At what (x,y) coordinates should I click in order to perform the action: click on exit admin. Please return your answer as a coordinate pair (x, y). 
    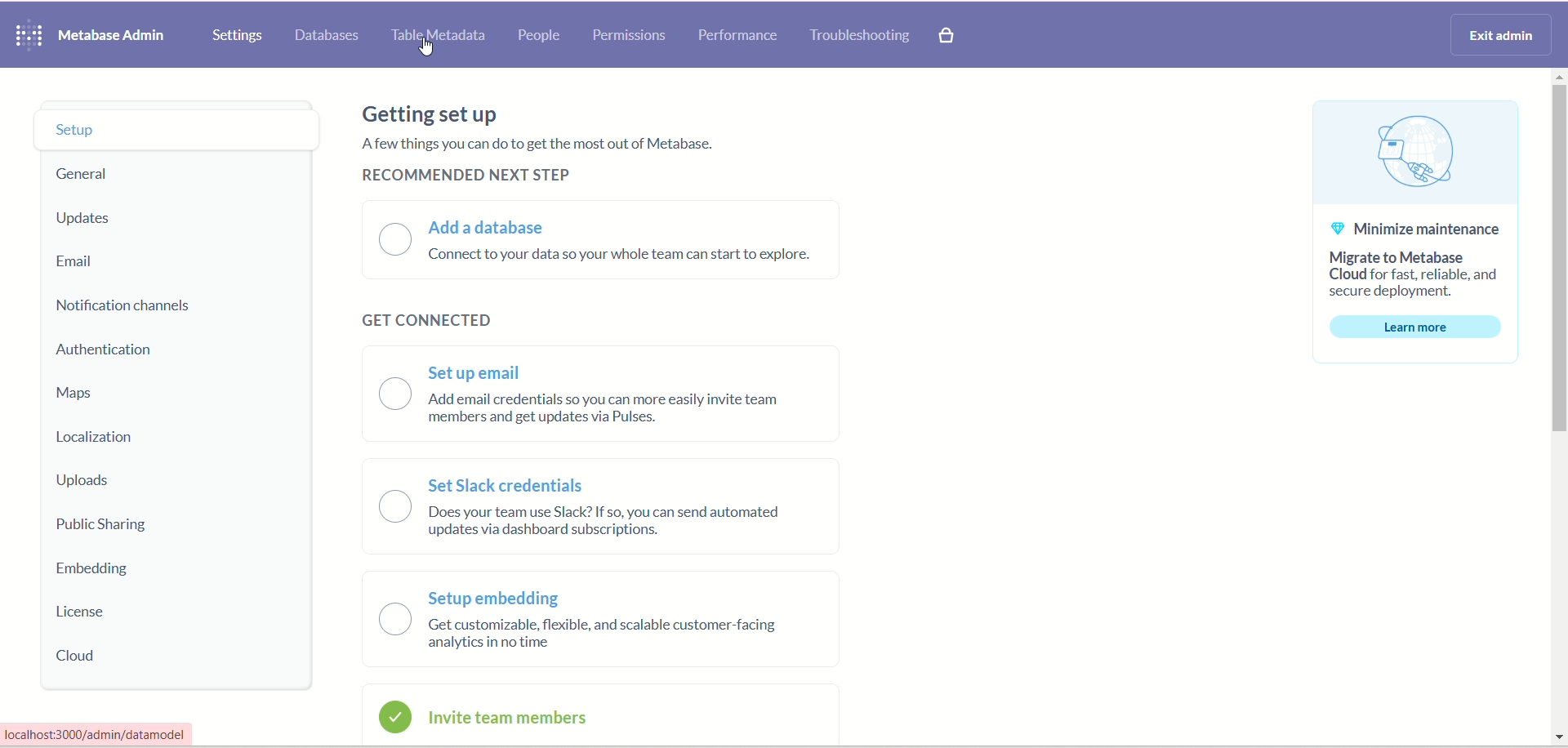
    Looking at the image, I should click on (1501, 33).